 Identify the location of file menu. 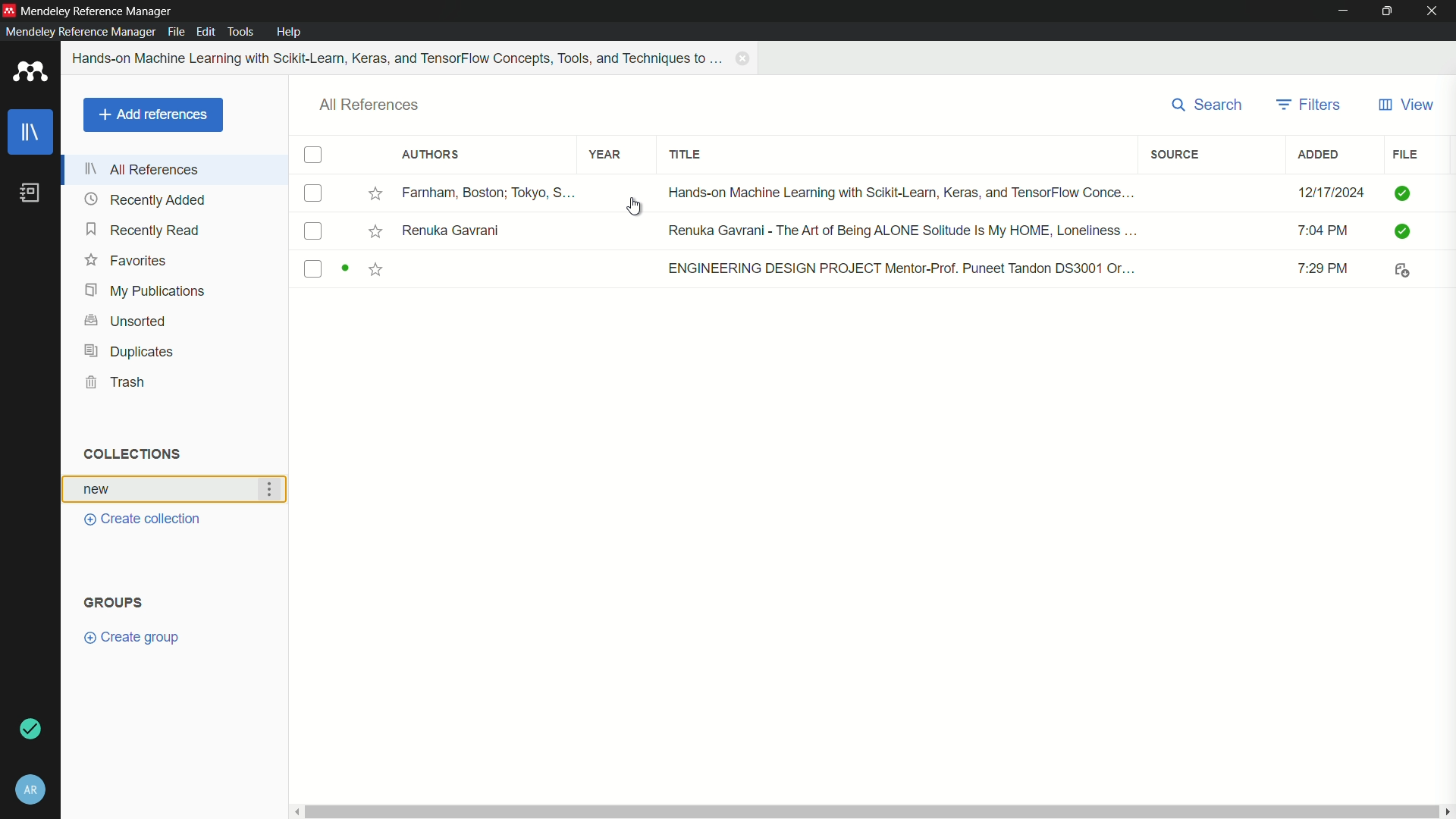
(176, 31).